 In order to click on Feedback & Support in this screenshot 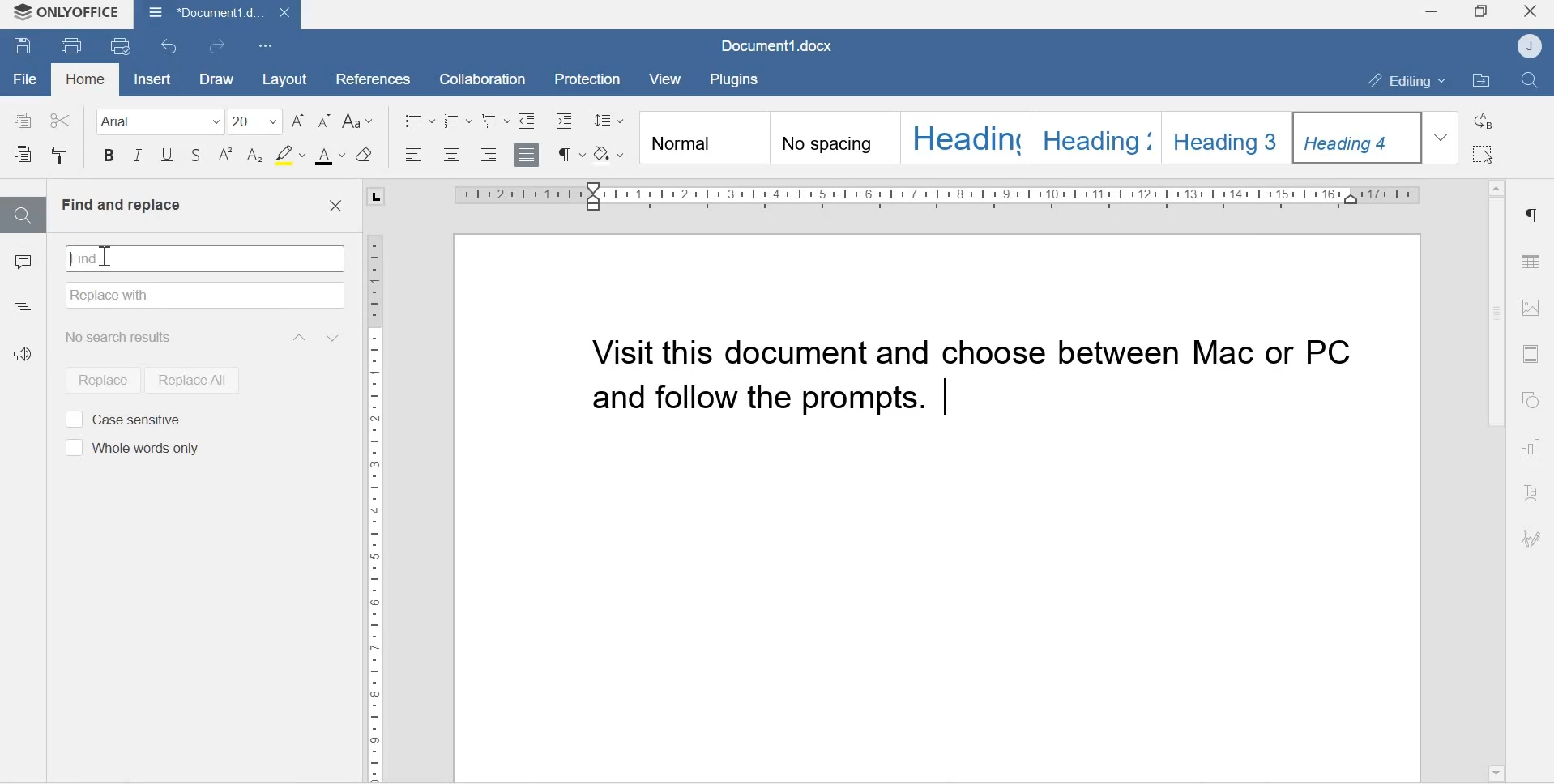, I will do `click(27, 360)`.